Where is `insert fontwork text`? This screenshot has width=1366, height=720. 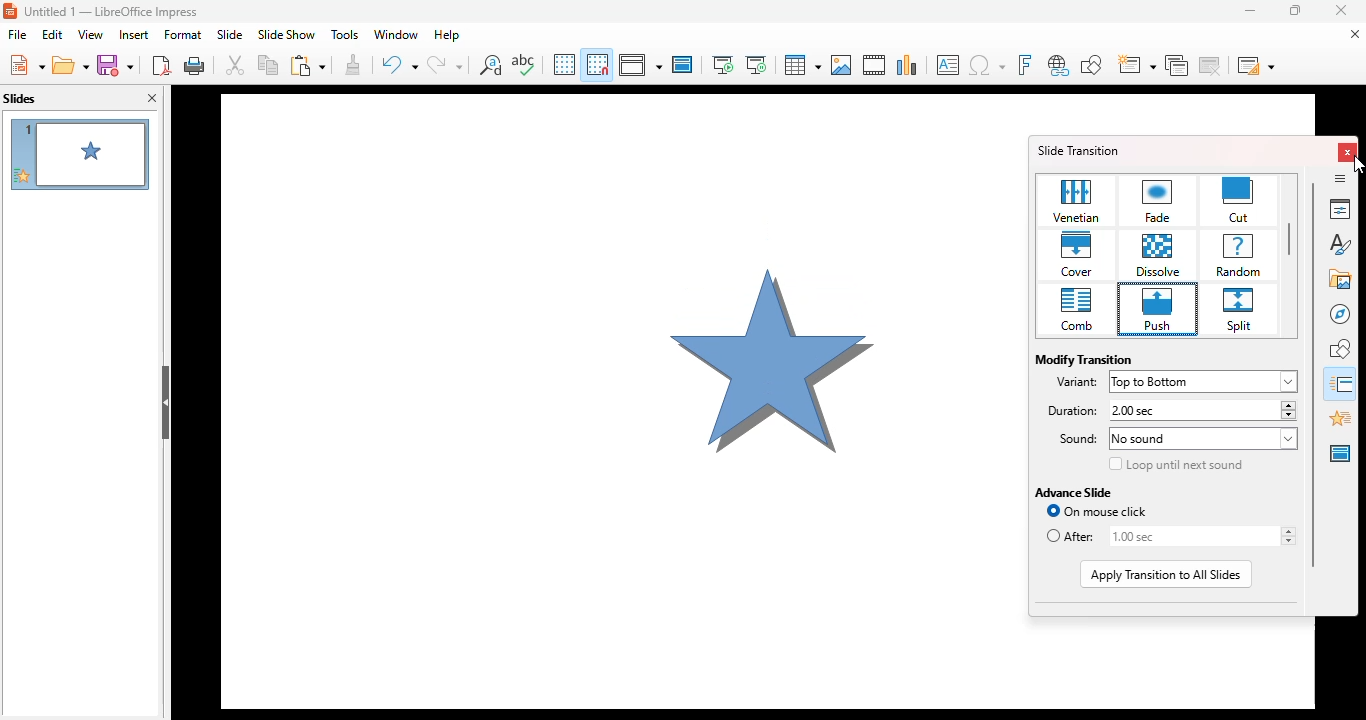 insert fontwork text is located at coordinates (1024, 65).